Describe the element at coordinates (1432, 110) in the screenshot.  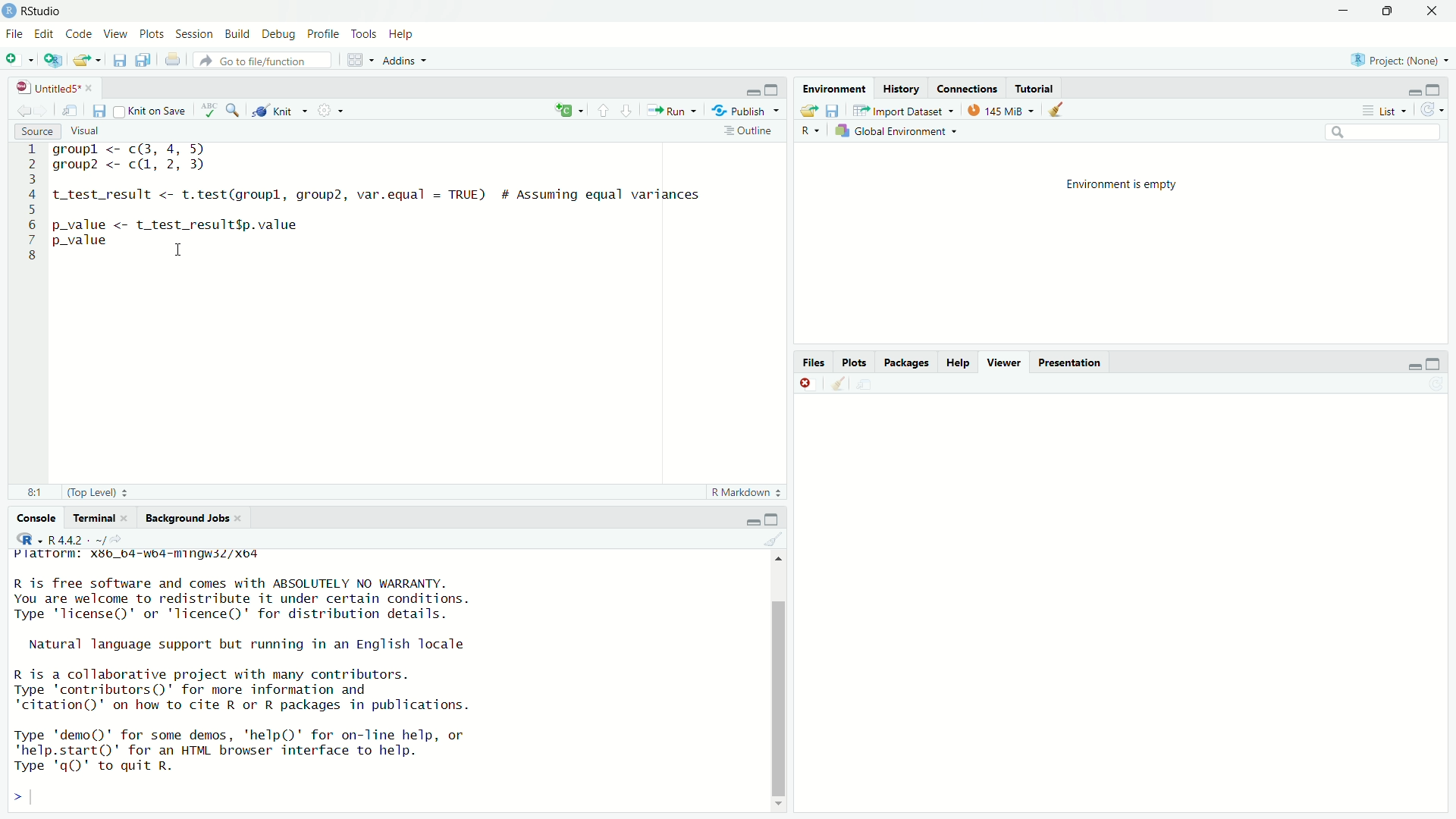
I see `refresh the workspace` at that location.